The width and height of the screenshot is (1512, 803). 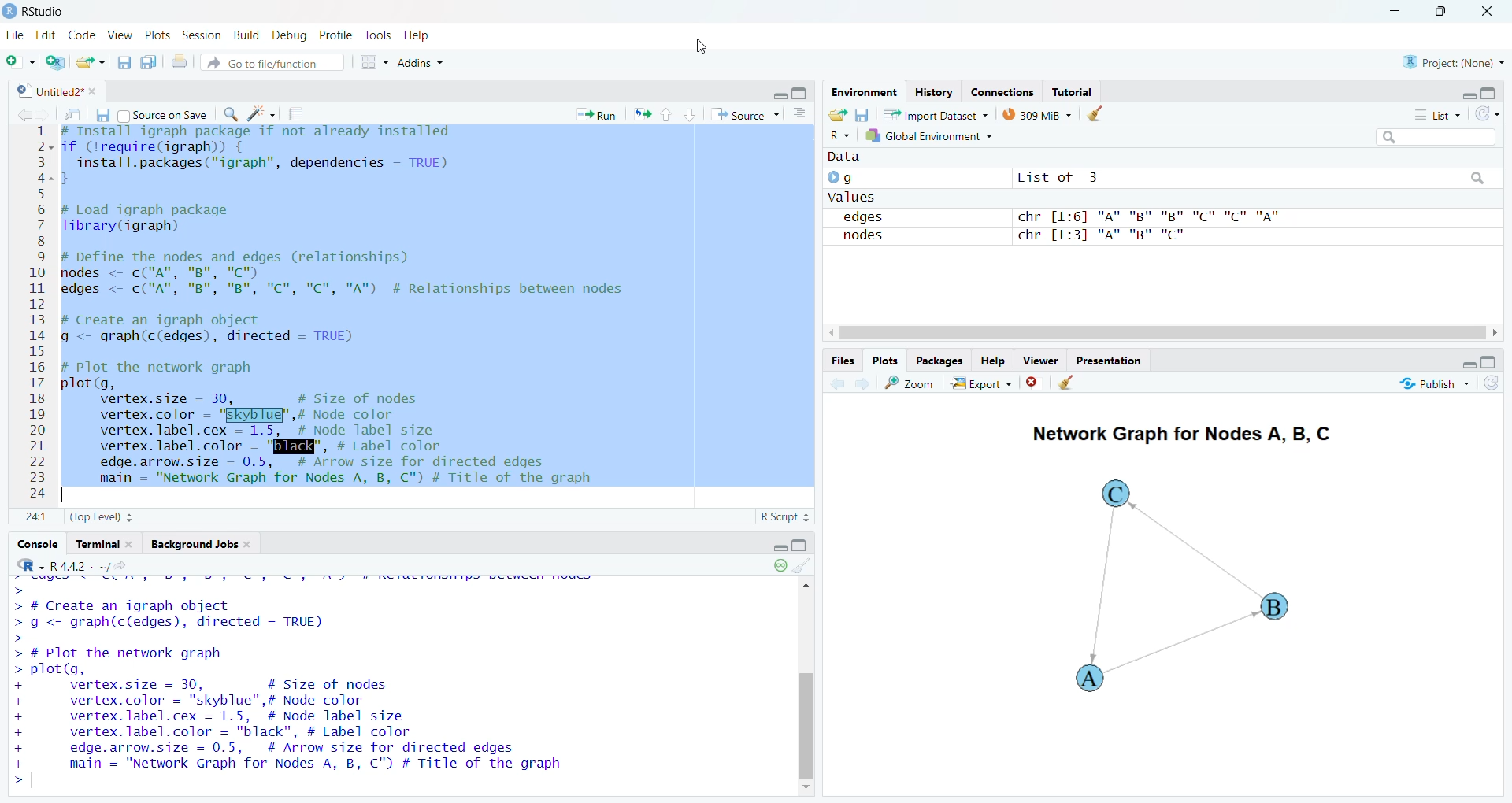 I want to click on move, so click(x=73, y=115).